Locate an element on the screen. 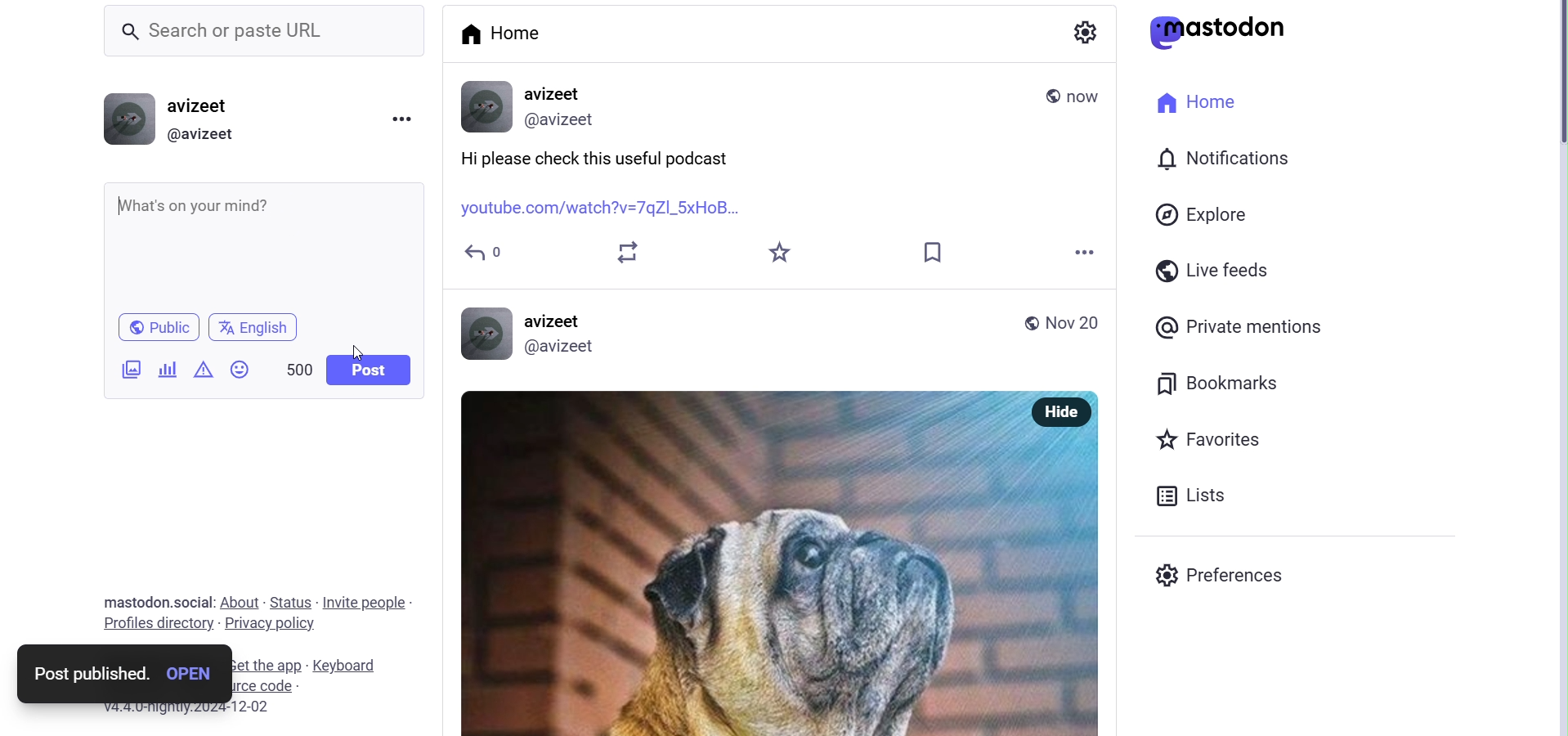 The height and width of the screenshot is (736, 1568). Search or paste URL is located at coordinates (266, 30).